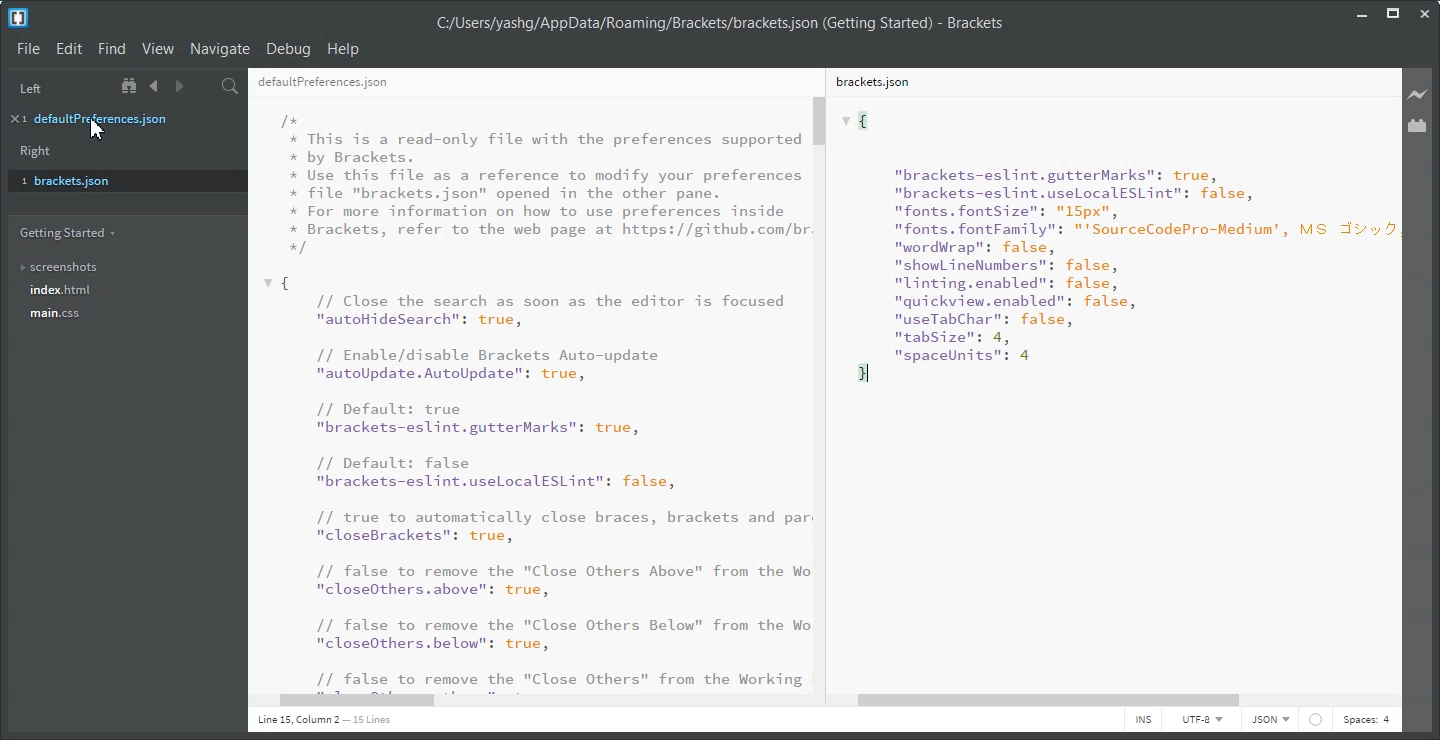 The width and height of the screenshot is (1440, 740). What do you see at coordinates (96, 128) in the screenshot?
I see `Cursor` at bounding box center [96, 128].